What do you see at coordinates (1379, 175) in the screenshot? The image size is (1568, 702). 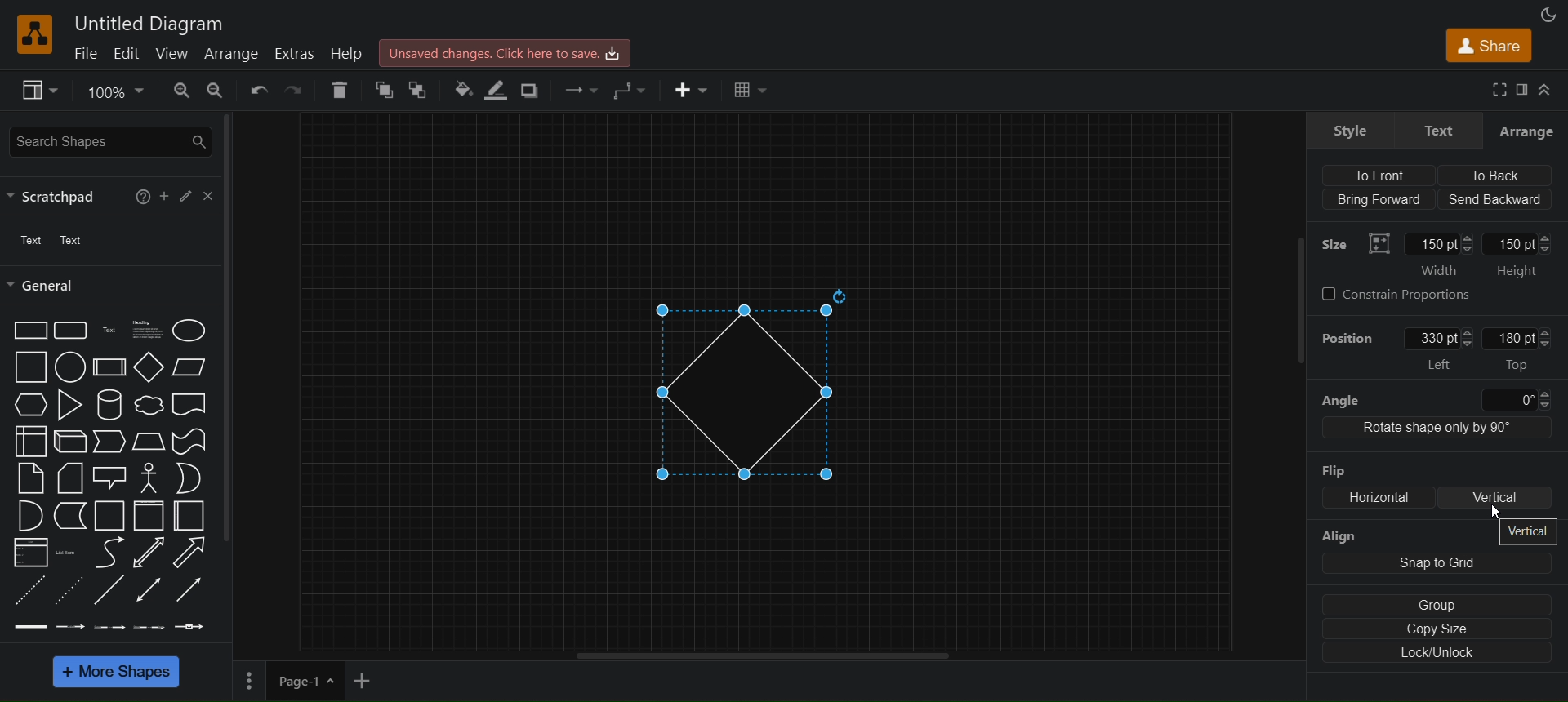 I see `to front` at bounding box center [1379, 175].